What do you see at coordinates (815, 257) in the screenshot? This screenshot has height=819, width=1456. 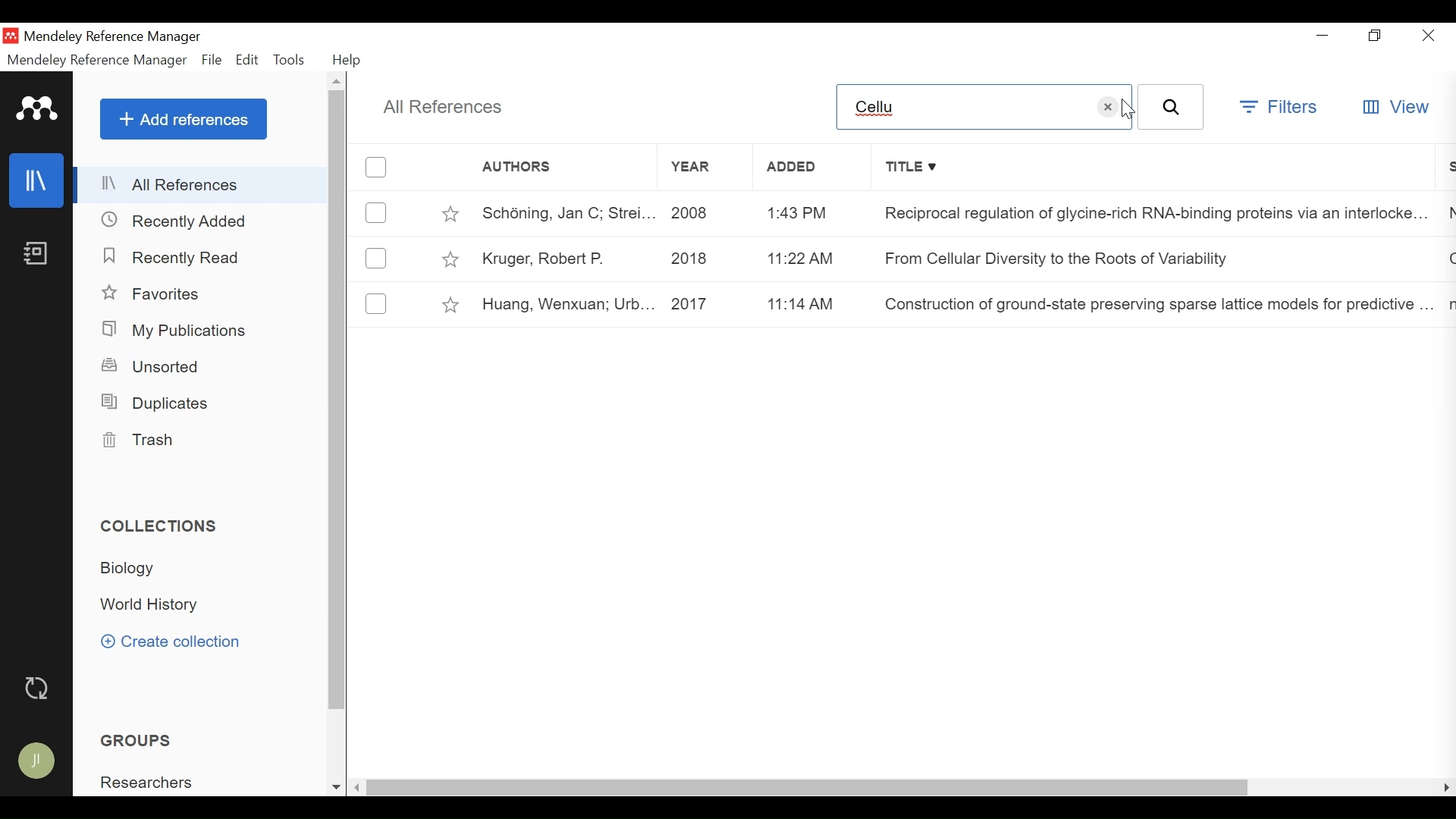 I see `11:22 AM` at bounding box center [815, 257].